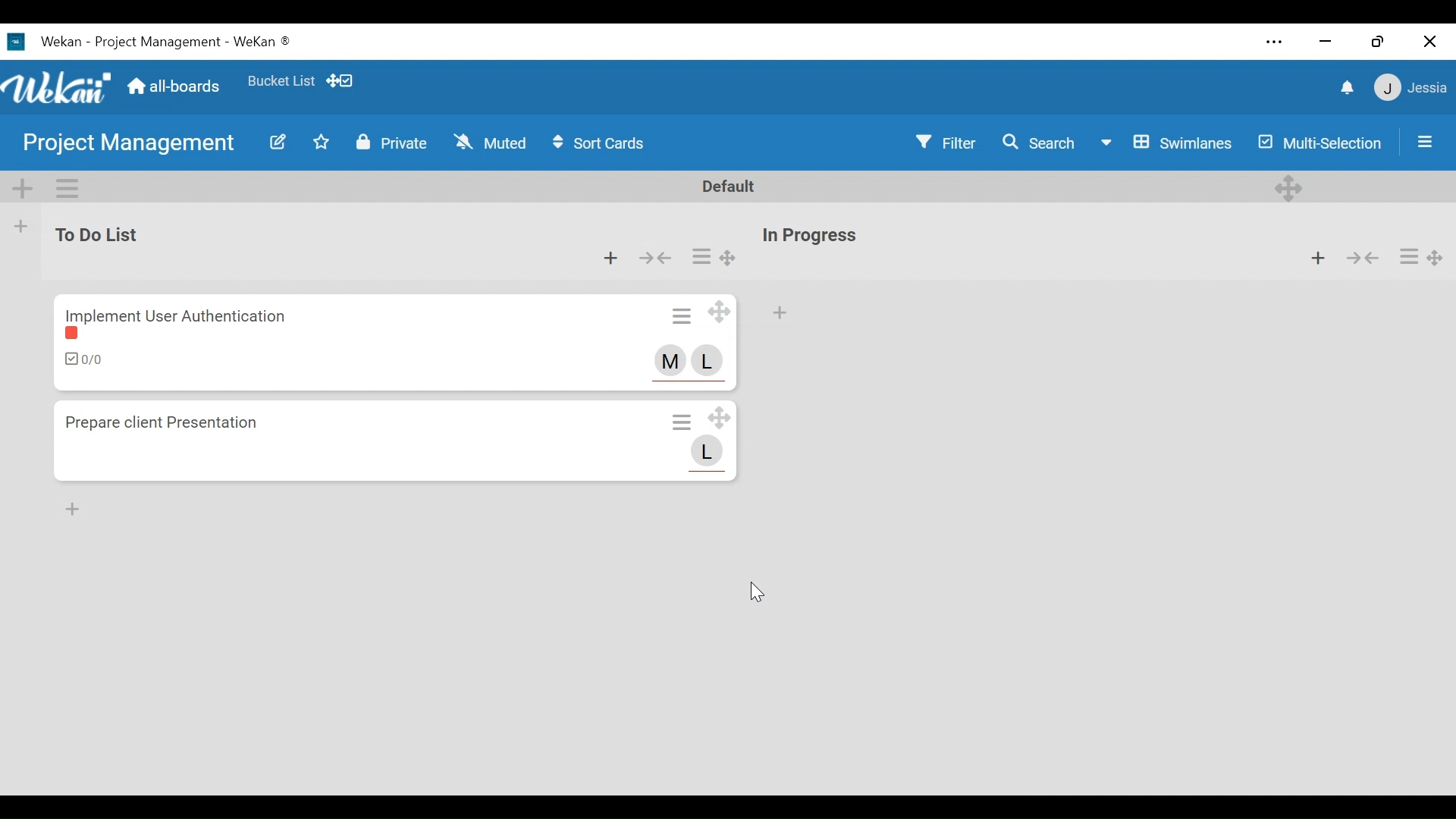 The height and width of the screenshot is (819, 1456). I want to click on label color, so click(76, 334).